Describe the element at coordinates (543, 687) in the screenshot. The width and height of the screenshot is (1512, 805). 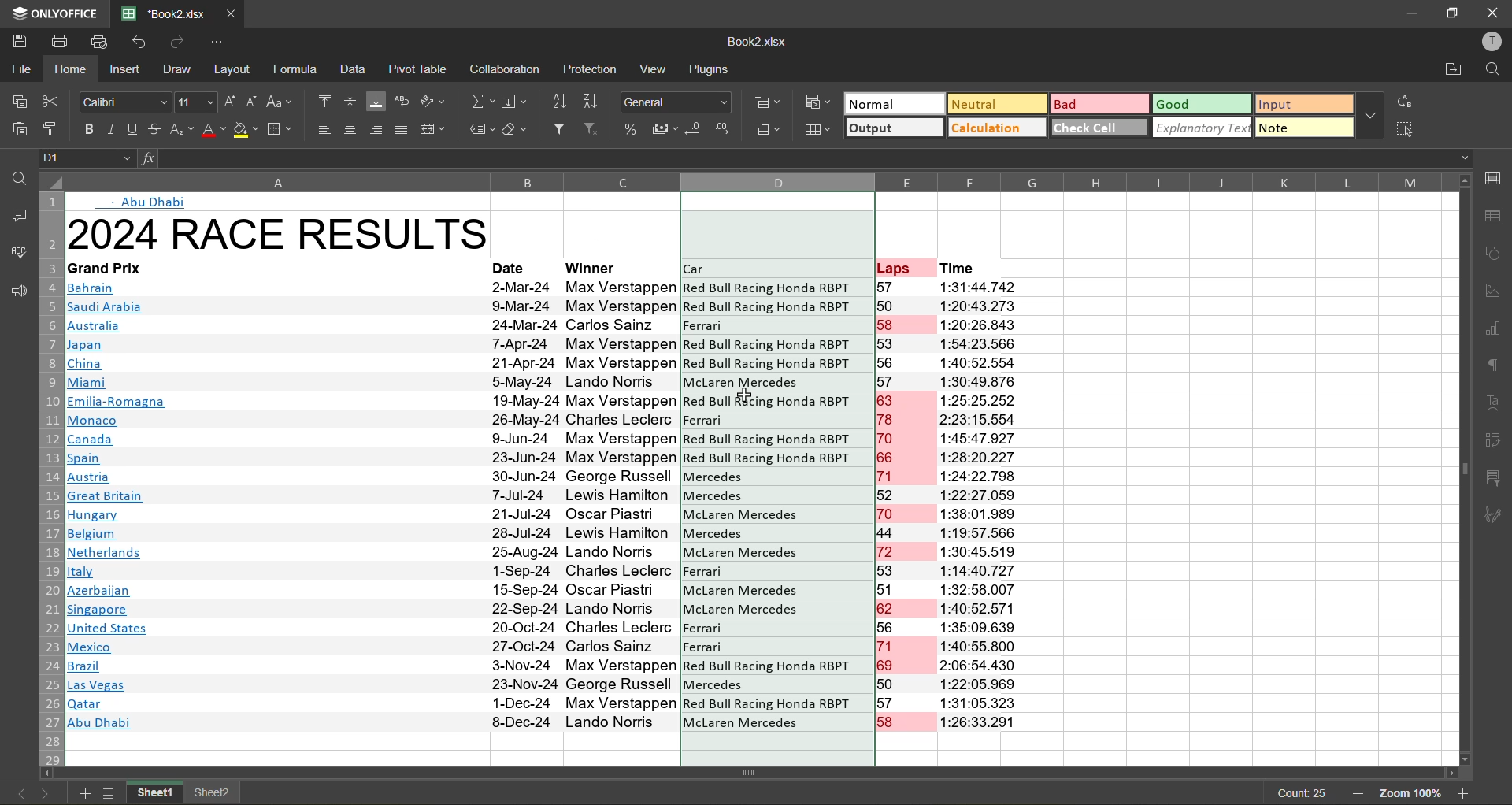
I see `Las Vegas 23-Nov-24 George Russell Mercedes 50 1:22:05.969` at that location.